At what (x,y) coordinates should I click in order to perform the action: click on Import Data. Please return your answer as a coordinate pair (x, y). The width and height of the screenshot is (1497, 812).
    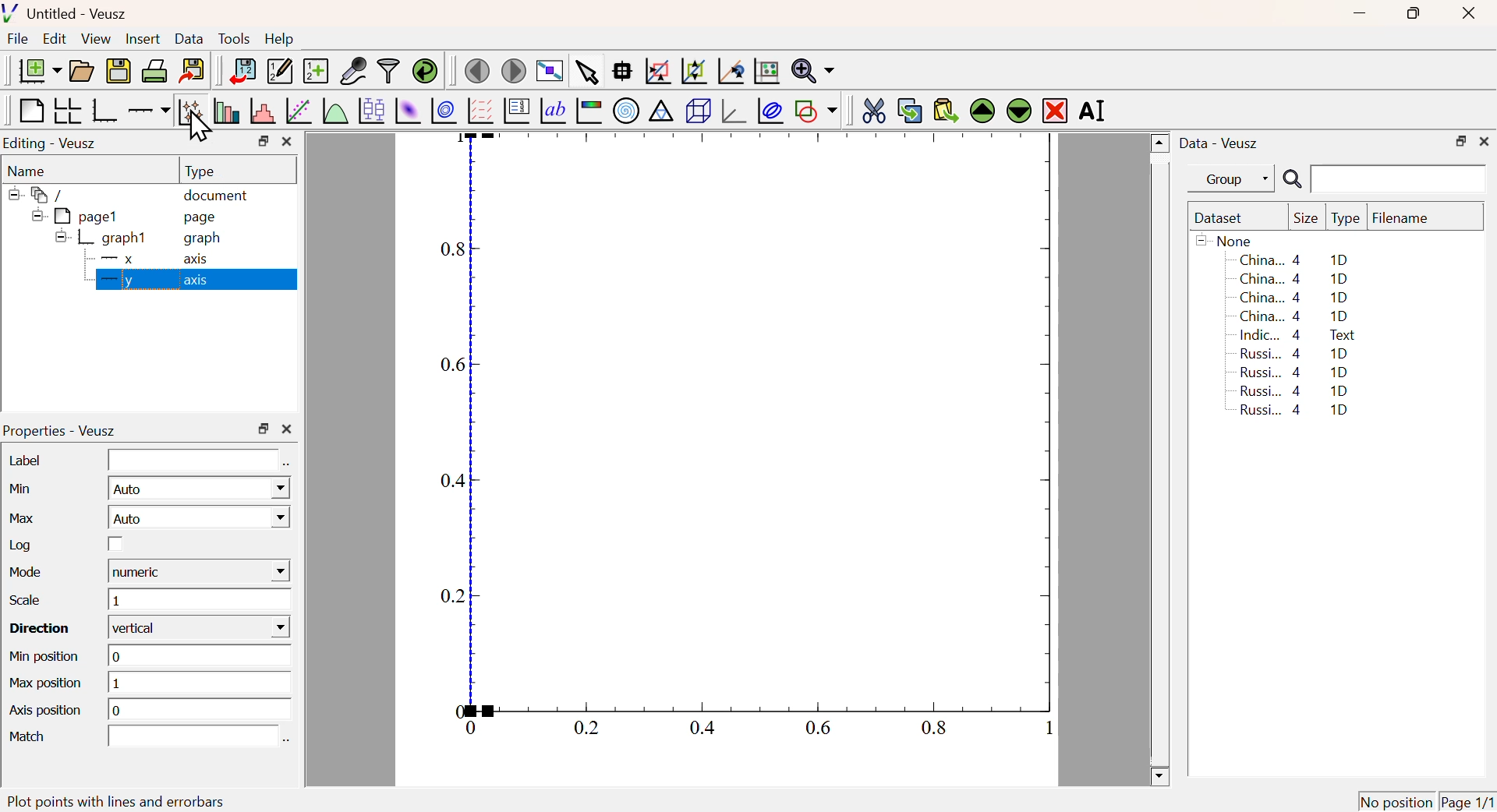
    Looking at the image, I should click on (242, 71).